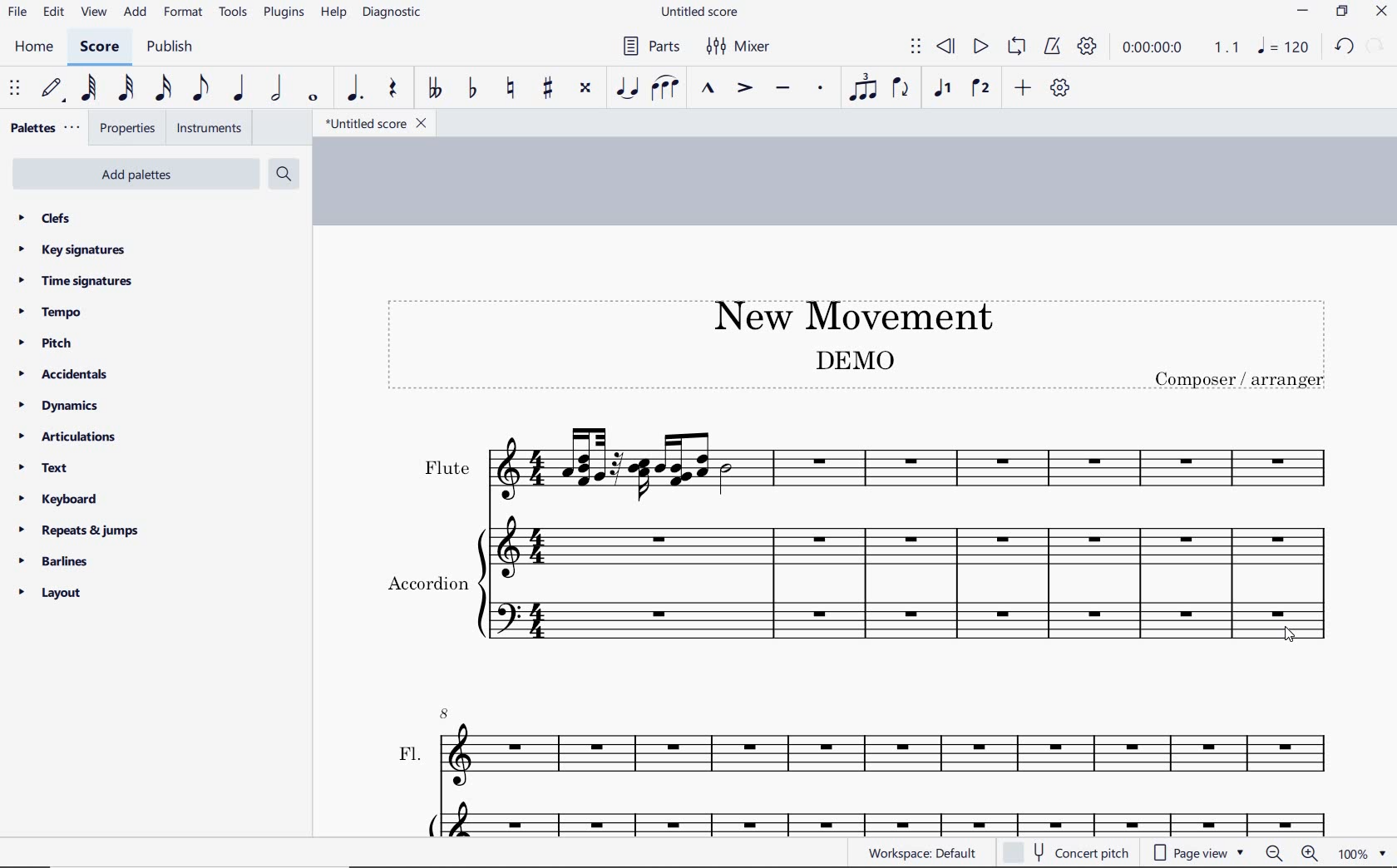  Describe the element at coordinates (52, 12) in the screenshot. I see `edit` at that location.